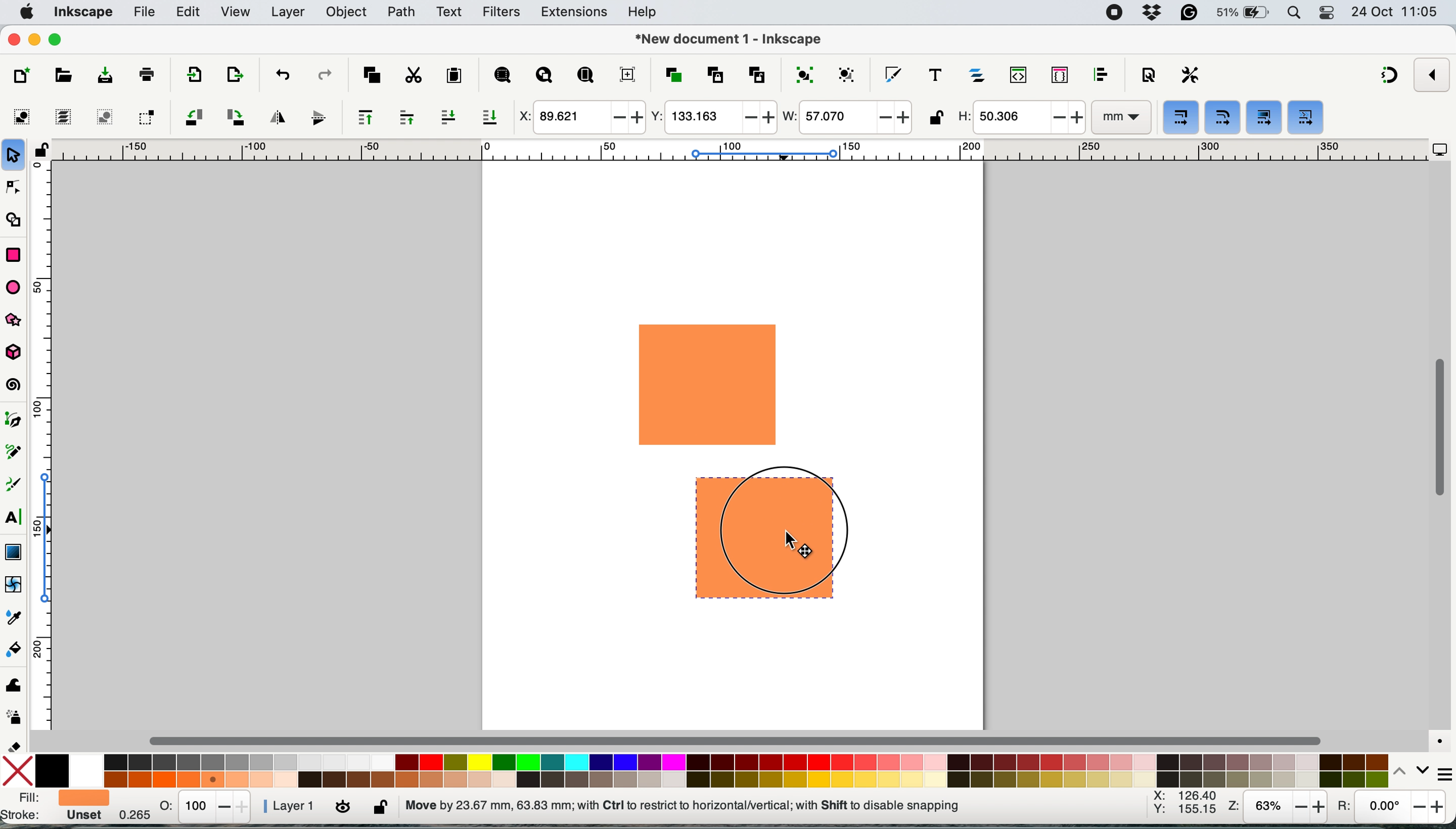 The height and width of the screenshot is (829, 1456). I want to click on drag duplicated shape, so click(761, 537).